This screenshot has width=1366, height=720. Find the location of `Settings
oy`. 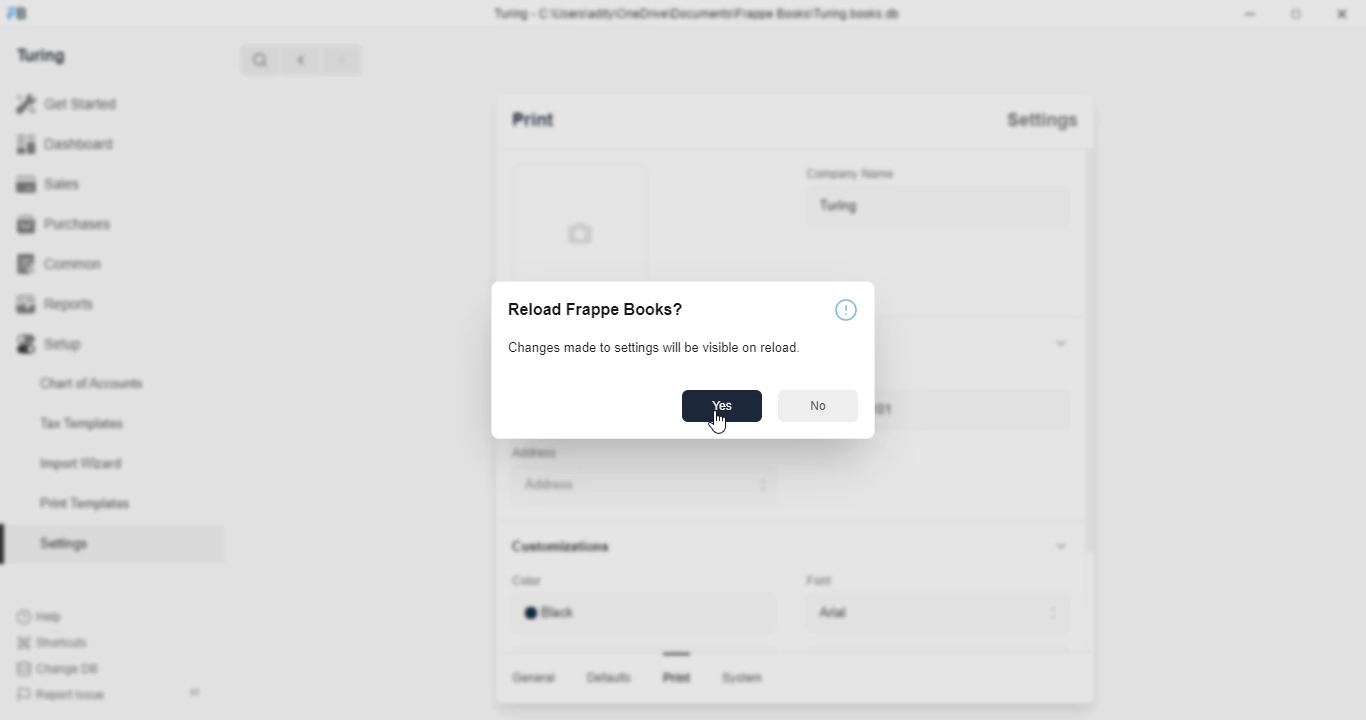

Settings
oy is located at coordinates (98, 546).